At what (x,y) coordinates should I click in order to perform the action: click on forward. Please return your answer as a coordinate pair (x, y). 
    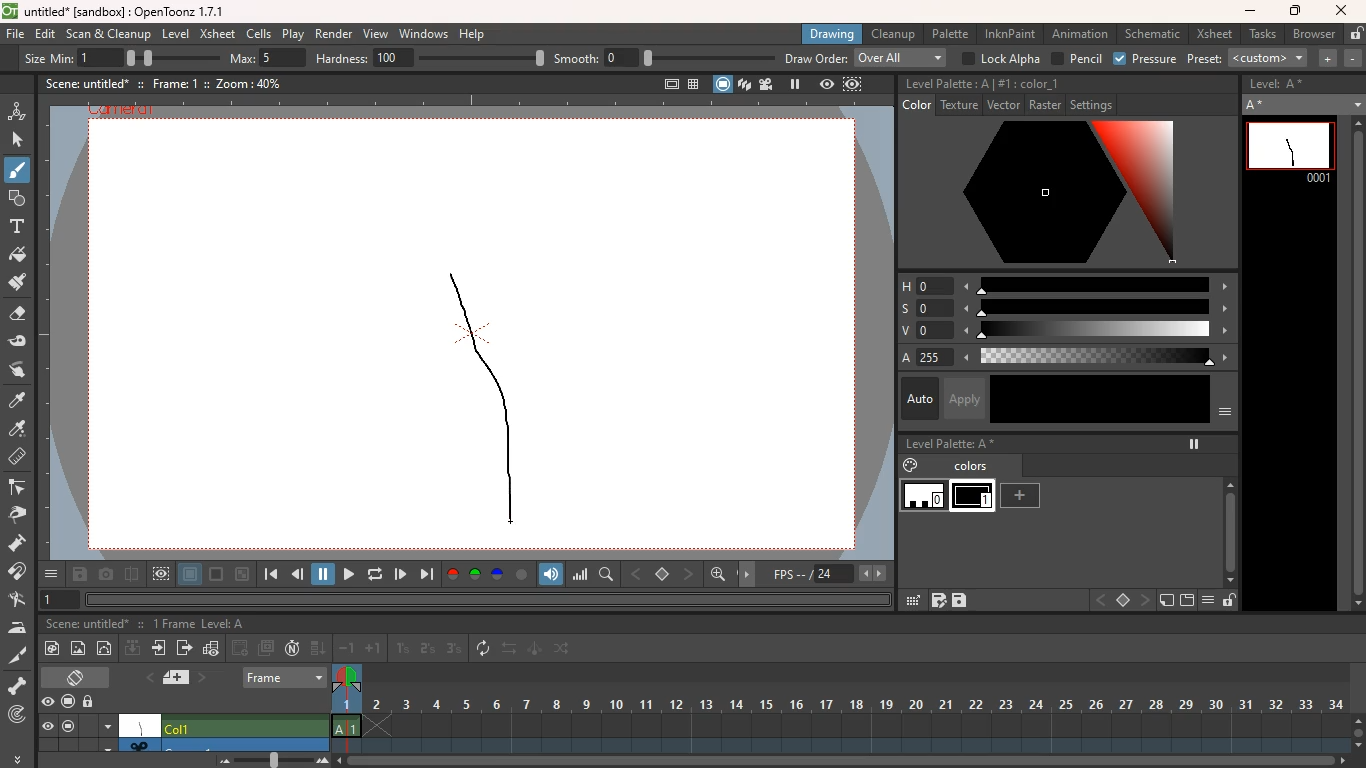
    Looking at the image, I should click on (426, 575).